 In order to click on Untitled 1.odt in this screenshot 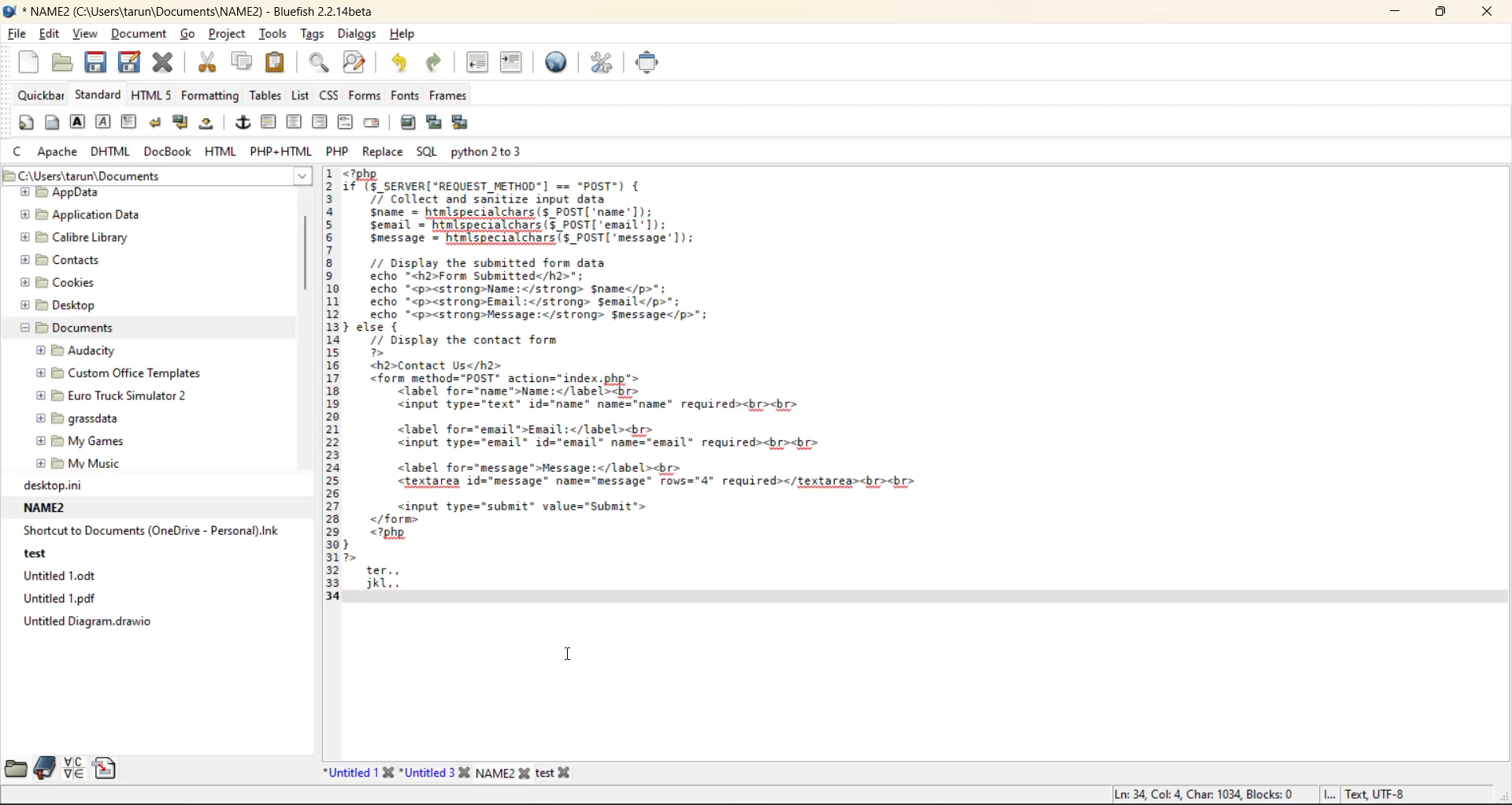, I will do `click(61, 578)`.